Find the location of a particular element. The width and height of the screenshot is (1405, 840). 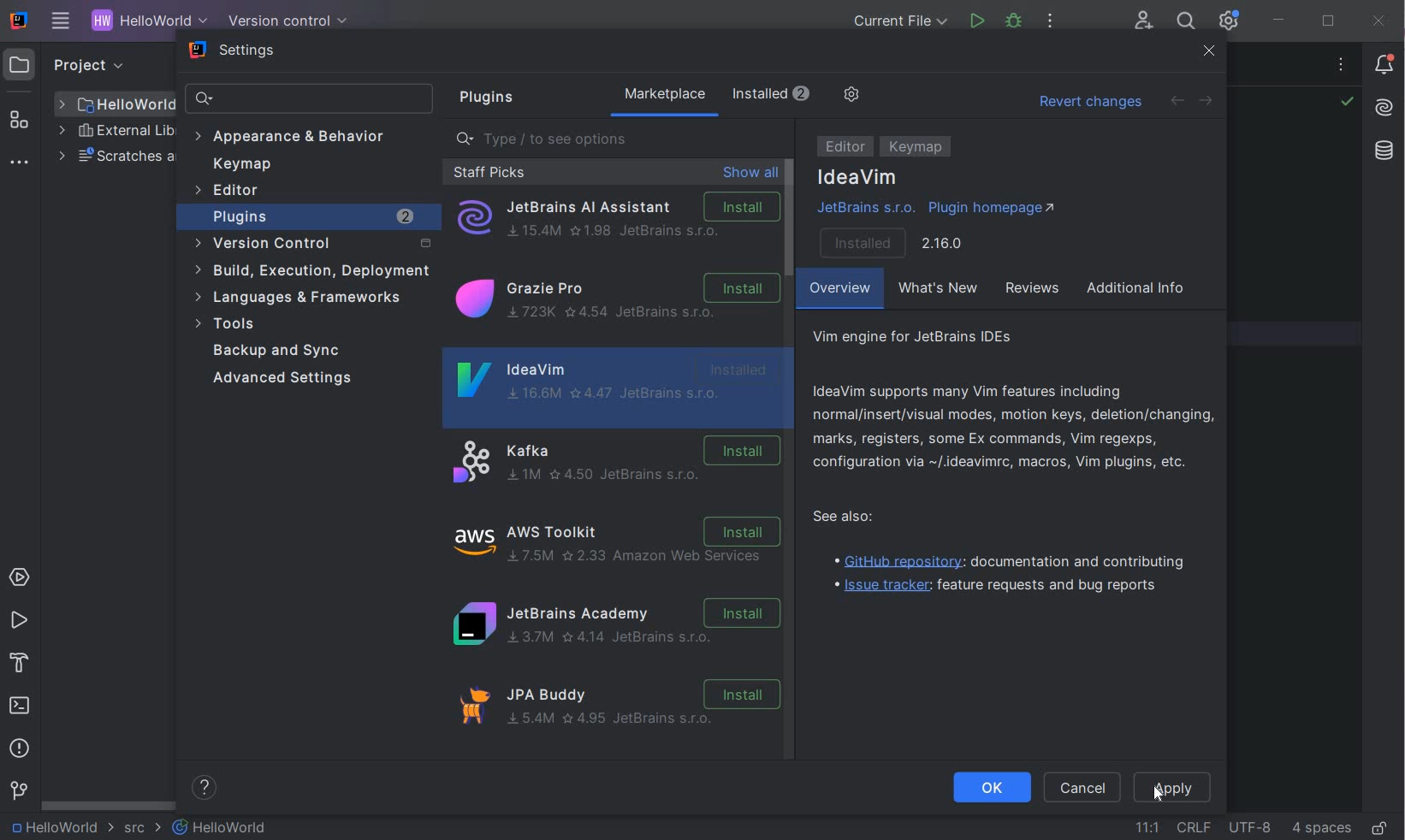

SCRATCHES AND CONSOLES is located at coordinates (115, 157).